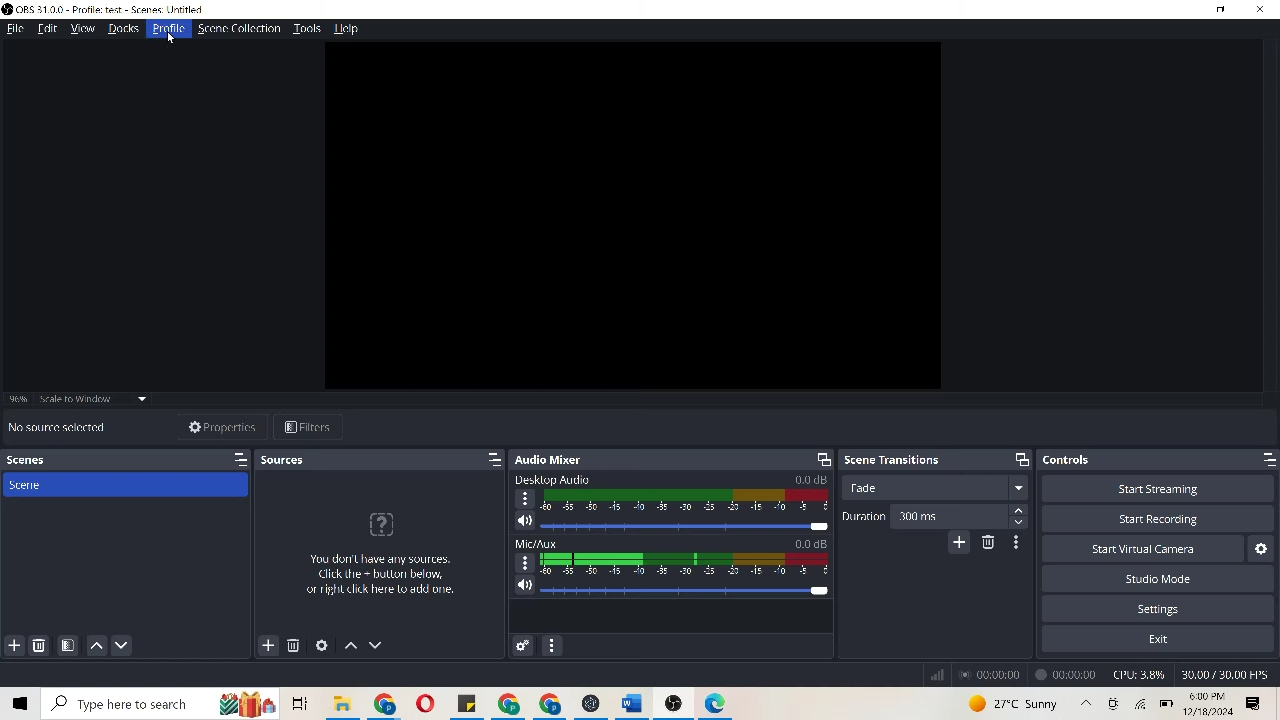 This screenshot has height=720, width=1280. Describe the element at coordinates (80, 29) in the screenshot. I see `view` at that location.